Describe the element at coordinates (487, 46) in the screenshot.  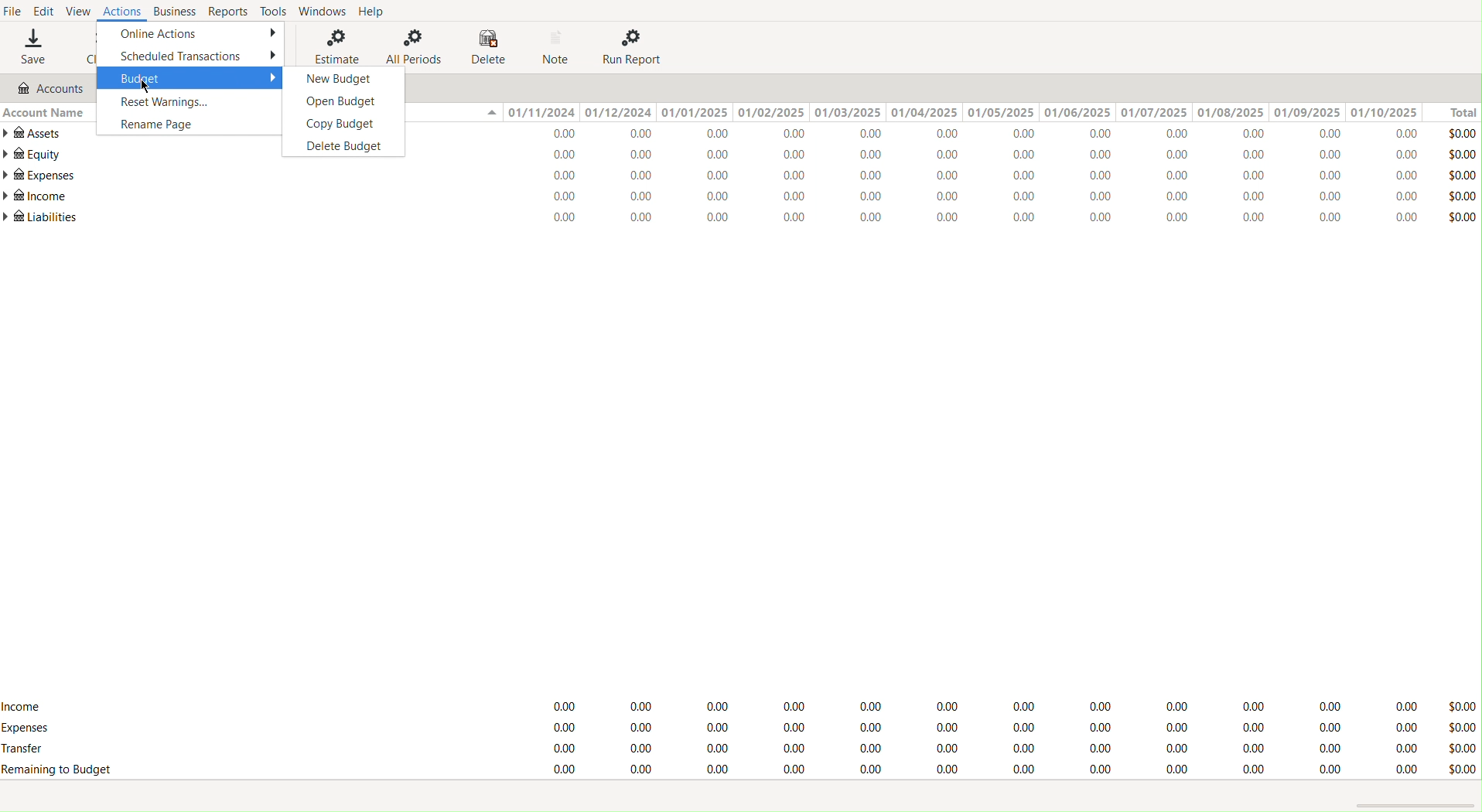
I see `Delete` at that location.